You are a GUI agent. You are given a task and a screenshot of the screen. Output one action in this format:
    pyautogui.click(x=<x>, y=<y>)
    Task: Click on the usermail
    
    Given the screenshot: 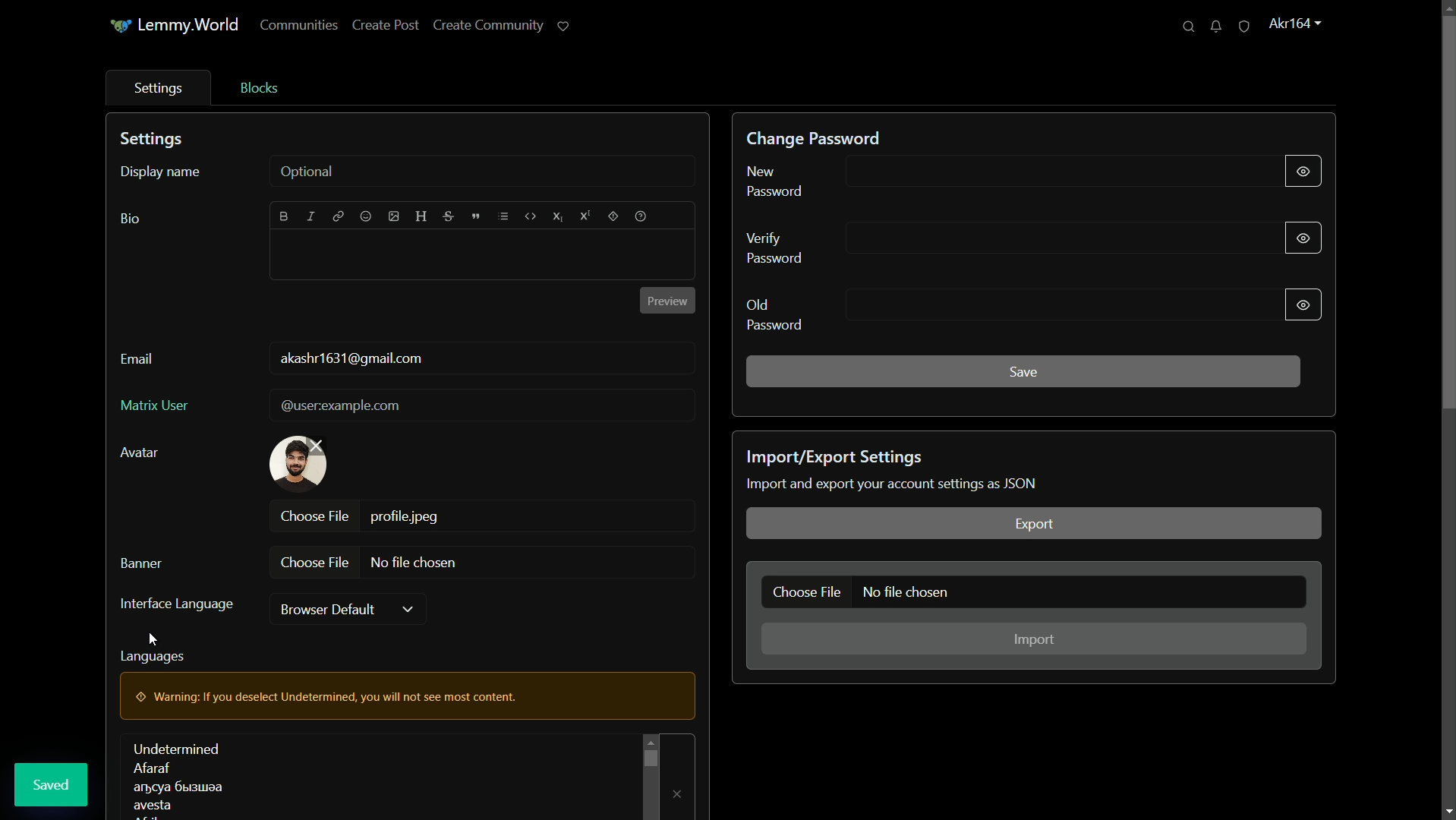 What is the action you would take?
    pyautogui.click(x=354, y=359)
    